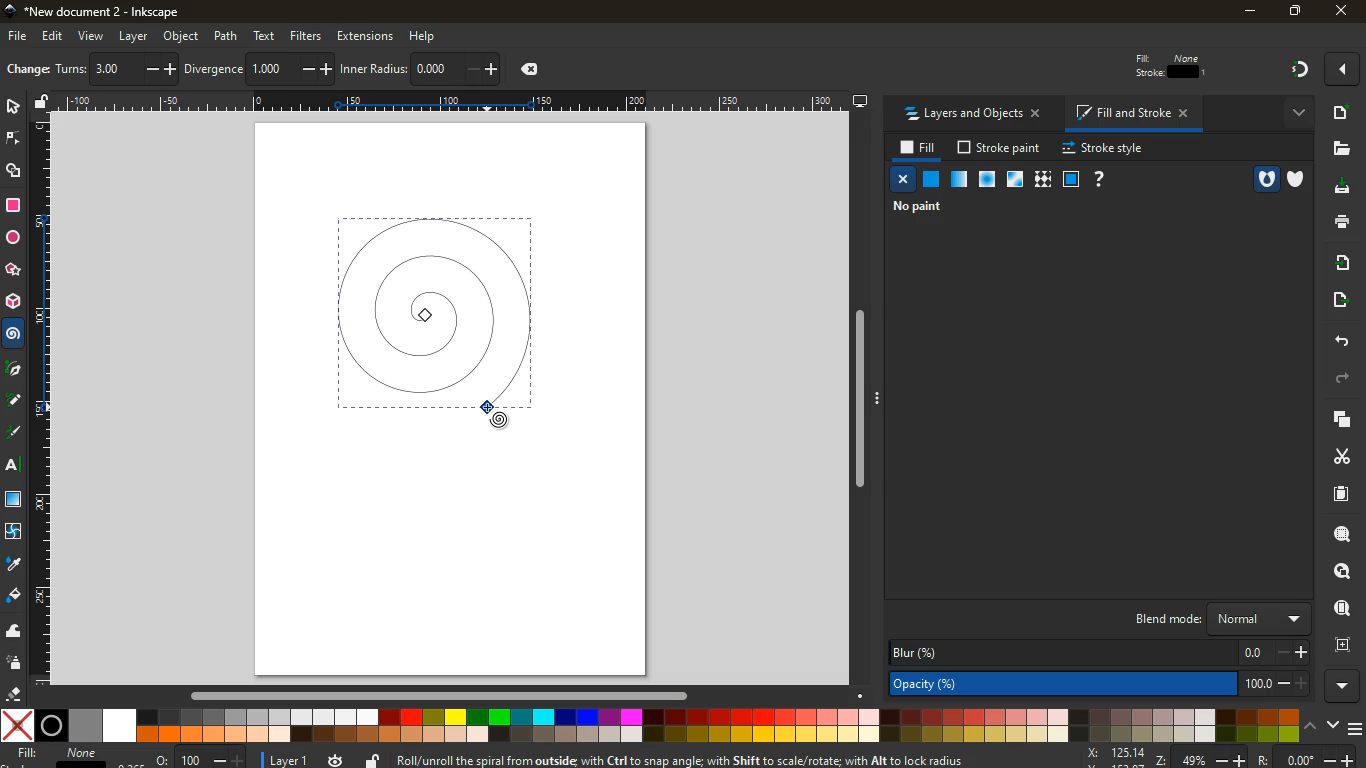 This screenshot has width=1366, height=768. Describe the element at coordinates (1341, 115) in the screenshot. I see `add` at that location.